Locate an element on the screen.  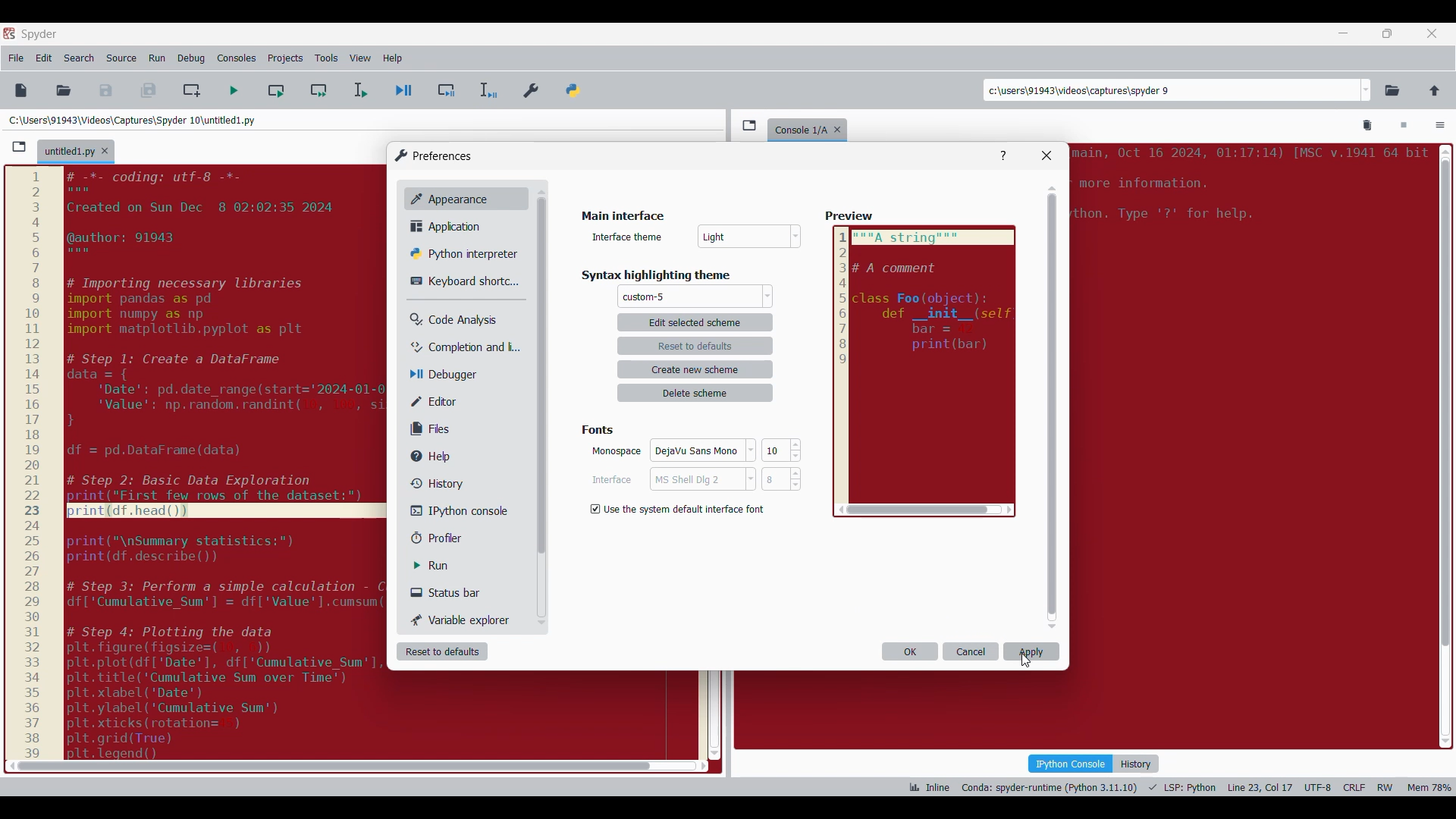
View menu is located at coordinates (360, 58).